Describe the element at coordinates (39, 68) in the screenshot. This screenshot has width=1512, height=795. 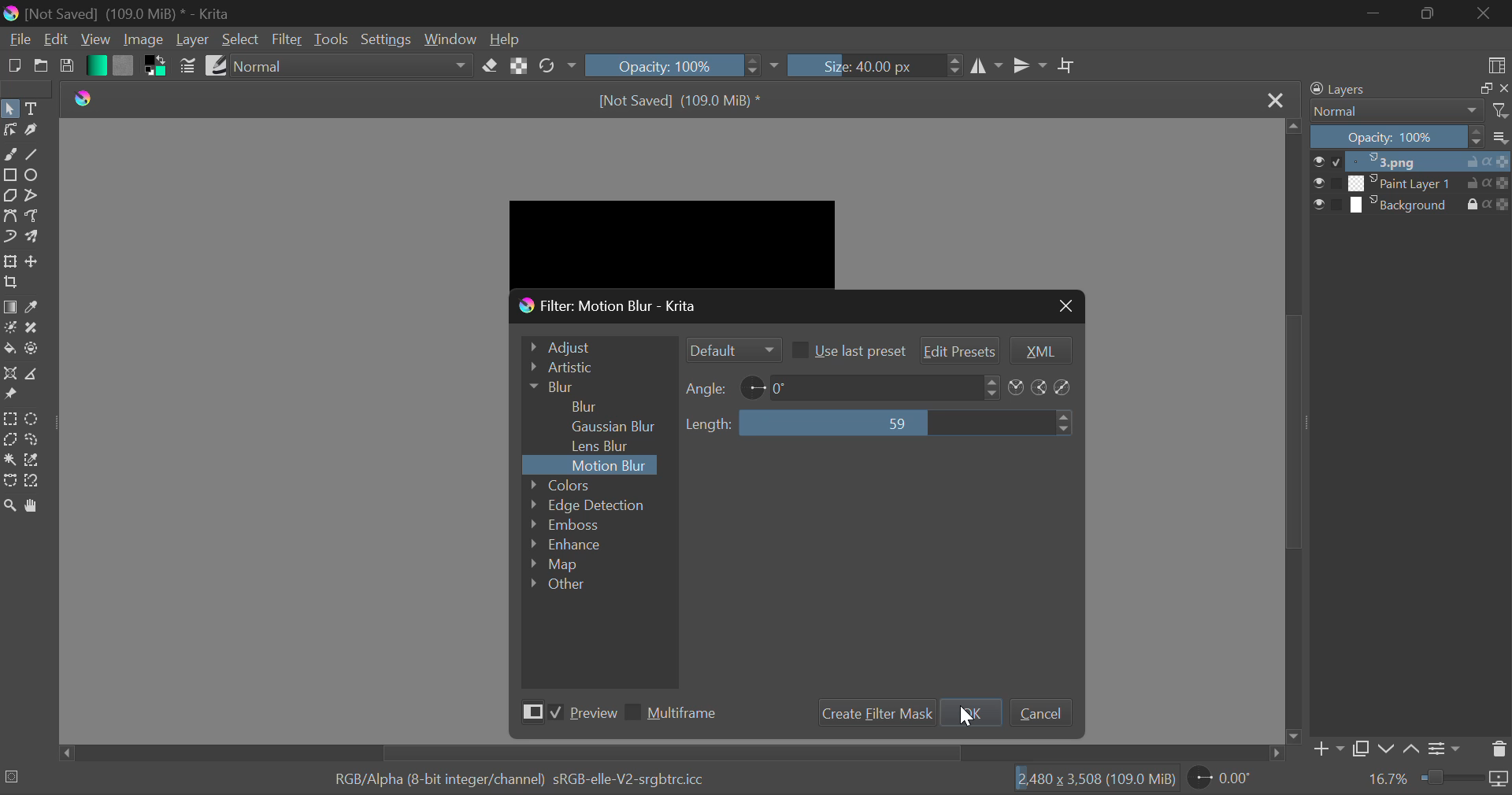
I see `Open` at that location.